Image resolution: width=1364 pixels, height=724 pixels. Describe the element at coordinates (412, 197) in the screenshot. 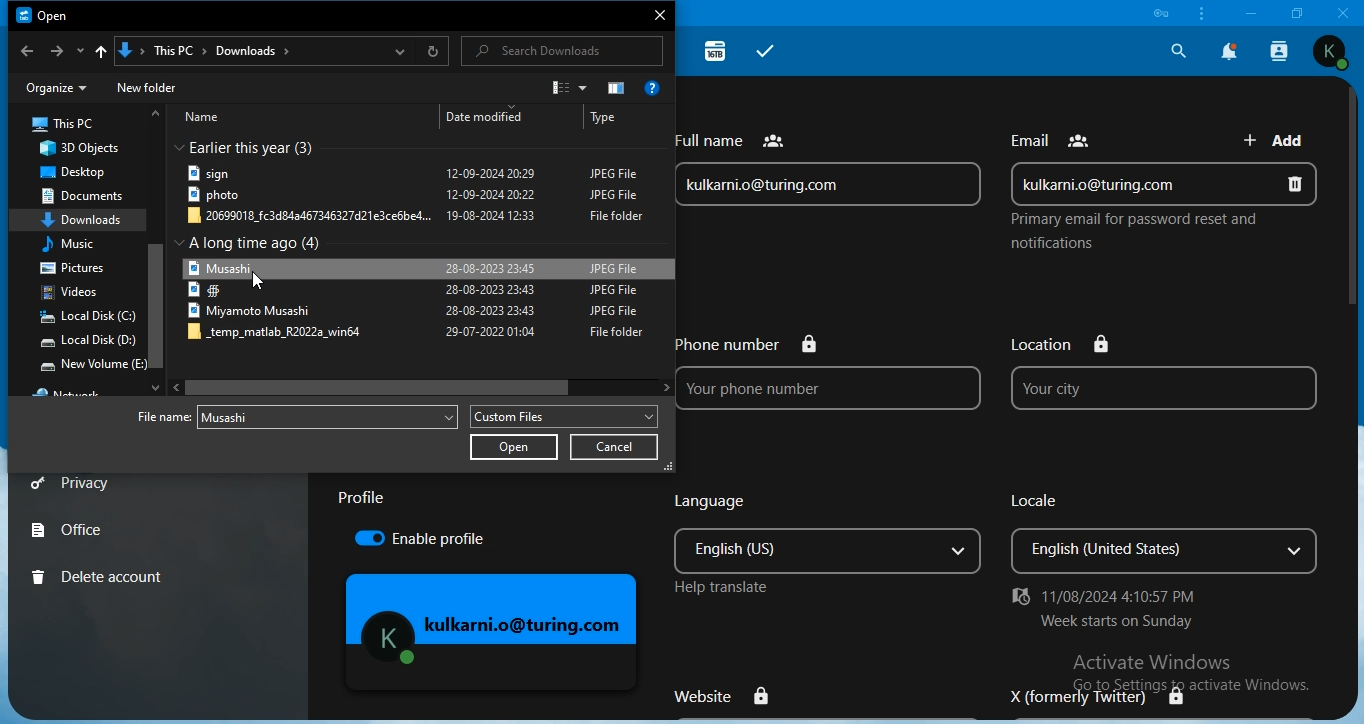

I see `file` at that location.